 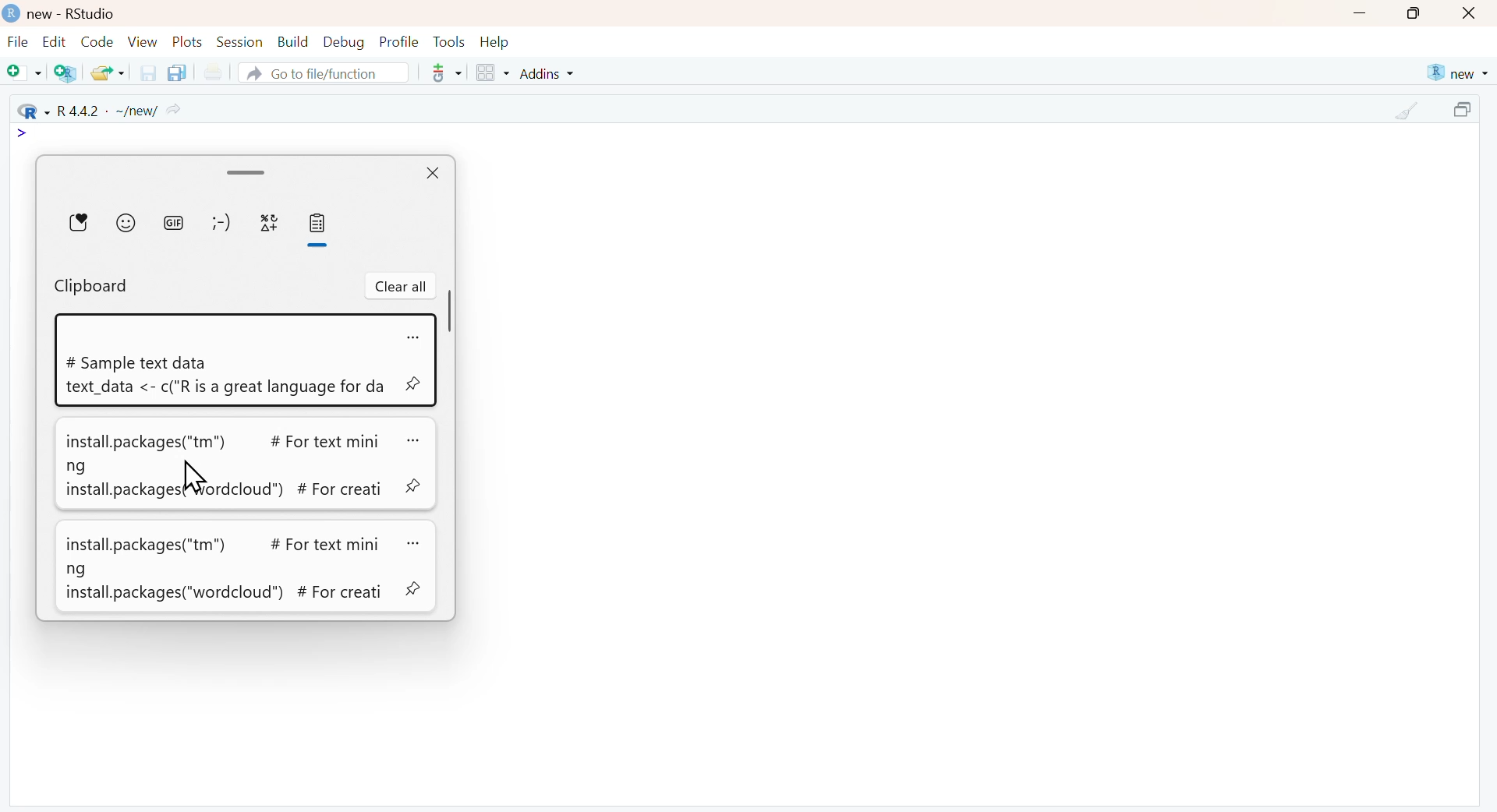 I want to click on install.packages("tm") # For text mini
ng, so click(x=225, y=556).